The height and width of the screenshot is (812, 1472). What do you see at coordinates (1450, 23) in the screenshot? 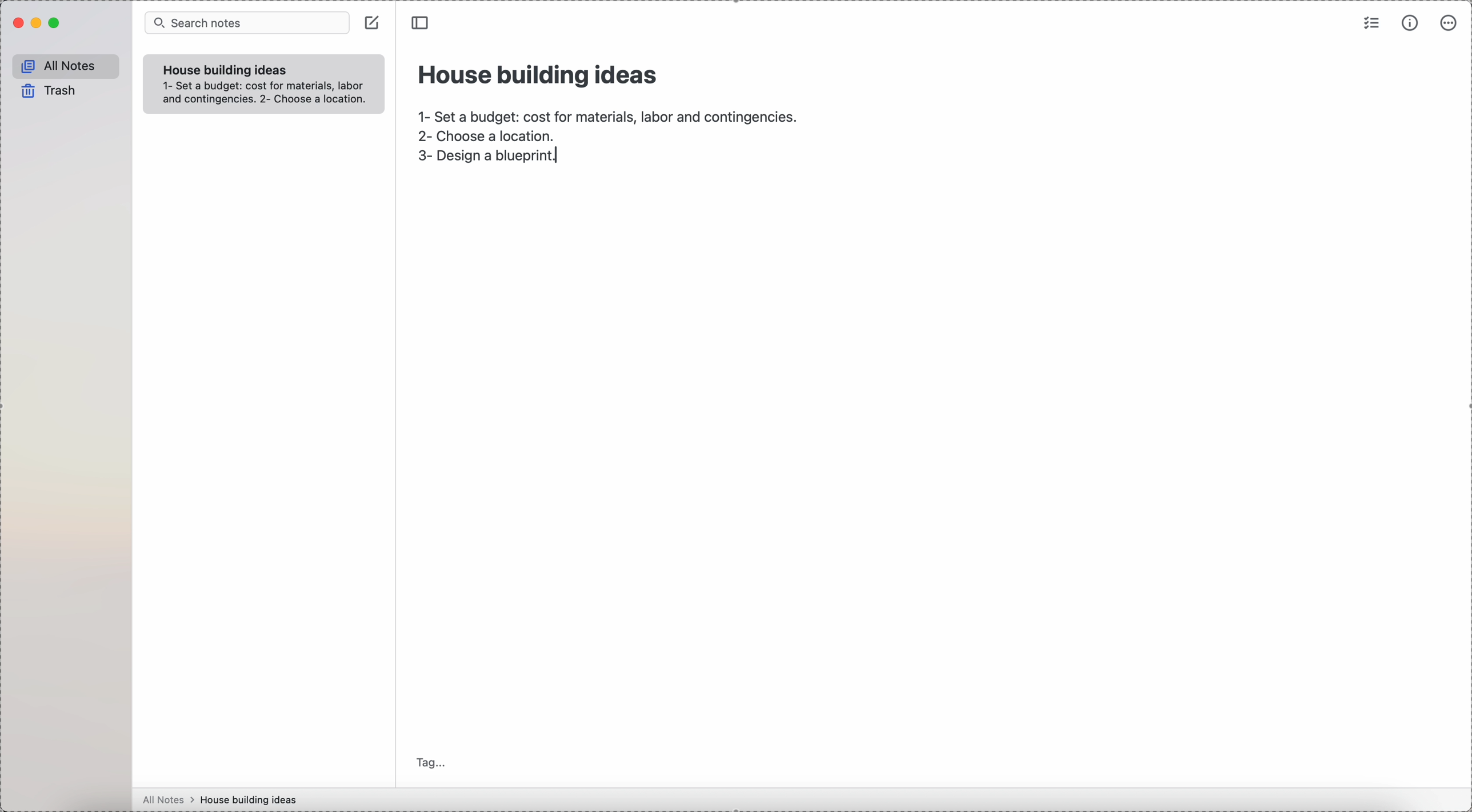
I see `more options` at bounding box center [1450, 23].